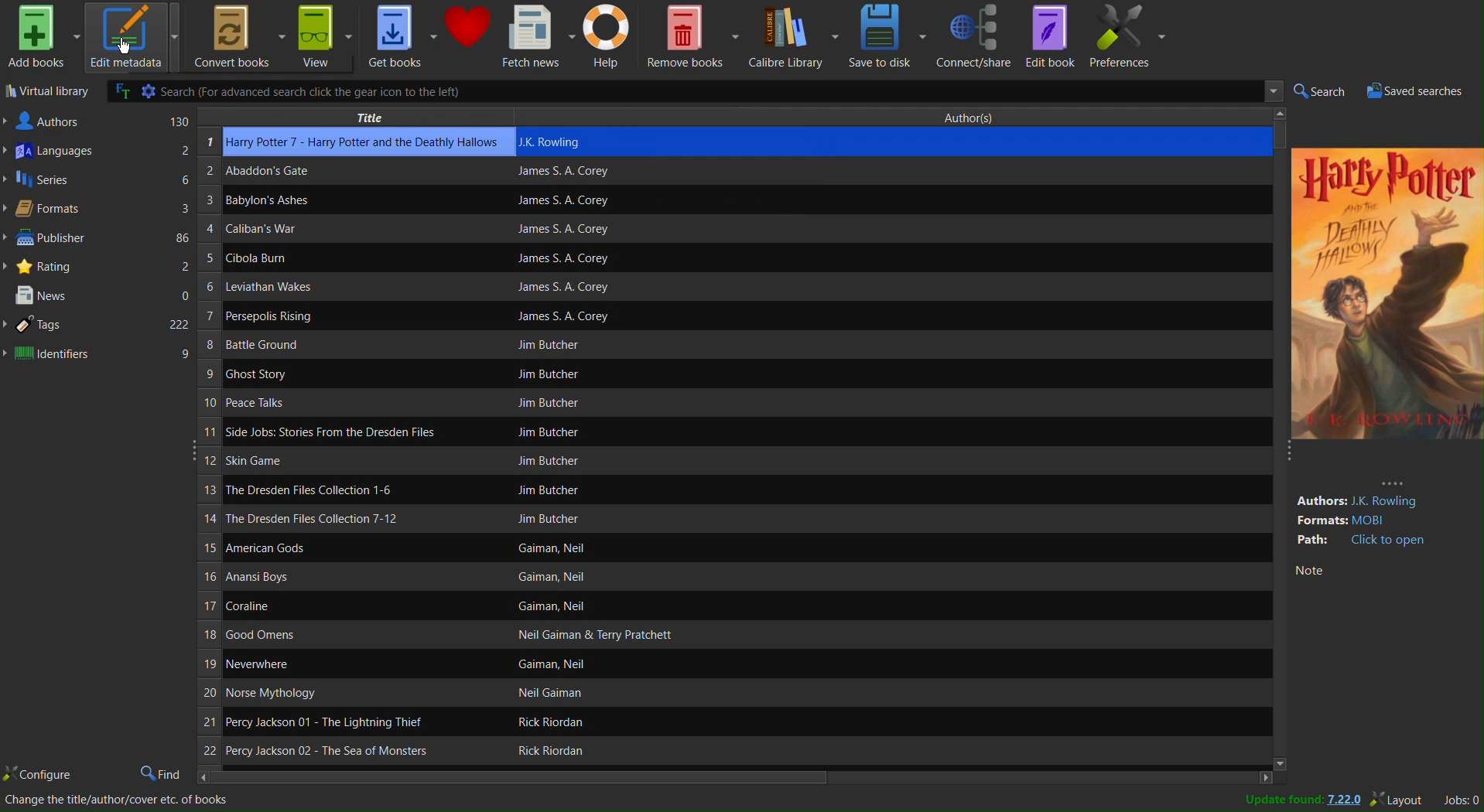  Describe the element at coordinates (309, 344) in the screenshot. I see `Book name` at that location.